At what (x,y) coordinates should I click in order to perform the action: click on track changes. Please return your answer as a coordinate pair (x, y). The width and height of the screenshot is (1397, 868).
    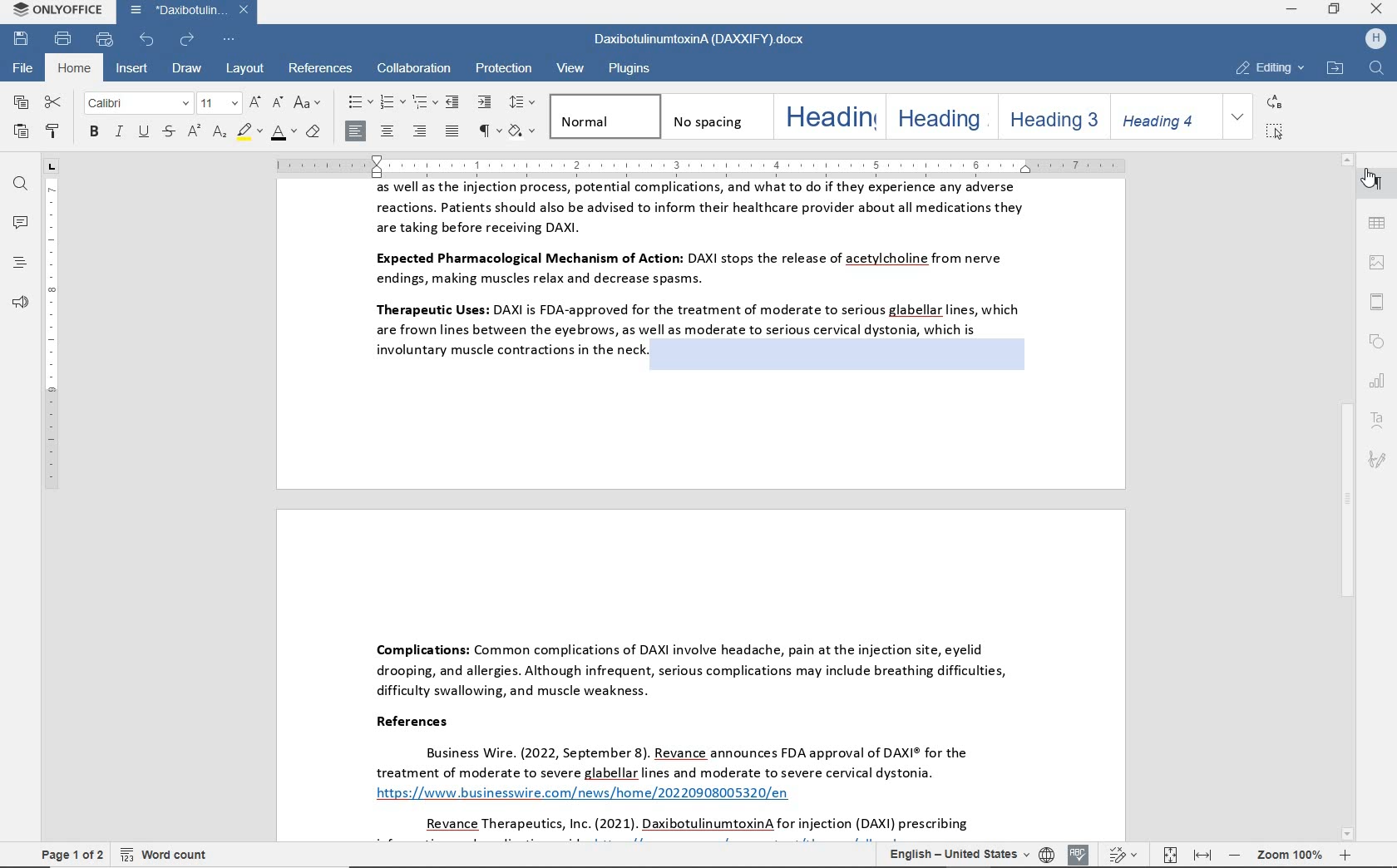
    Looking at the image, I should click on (1126, 854).